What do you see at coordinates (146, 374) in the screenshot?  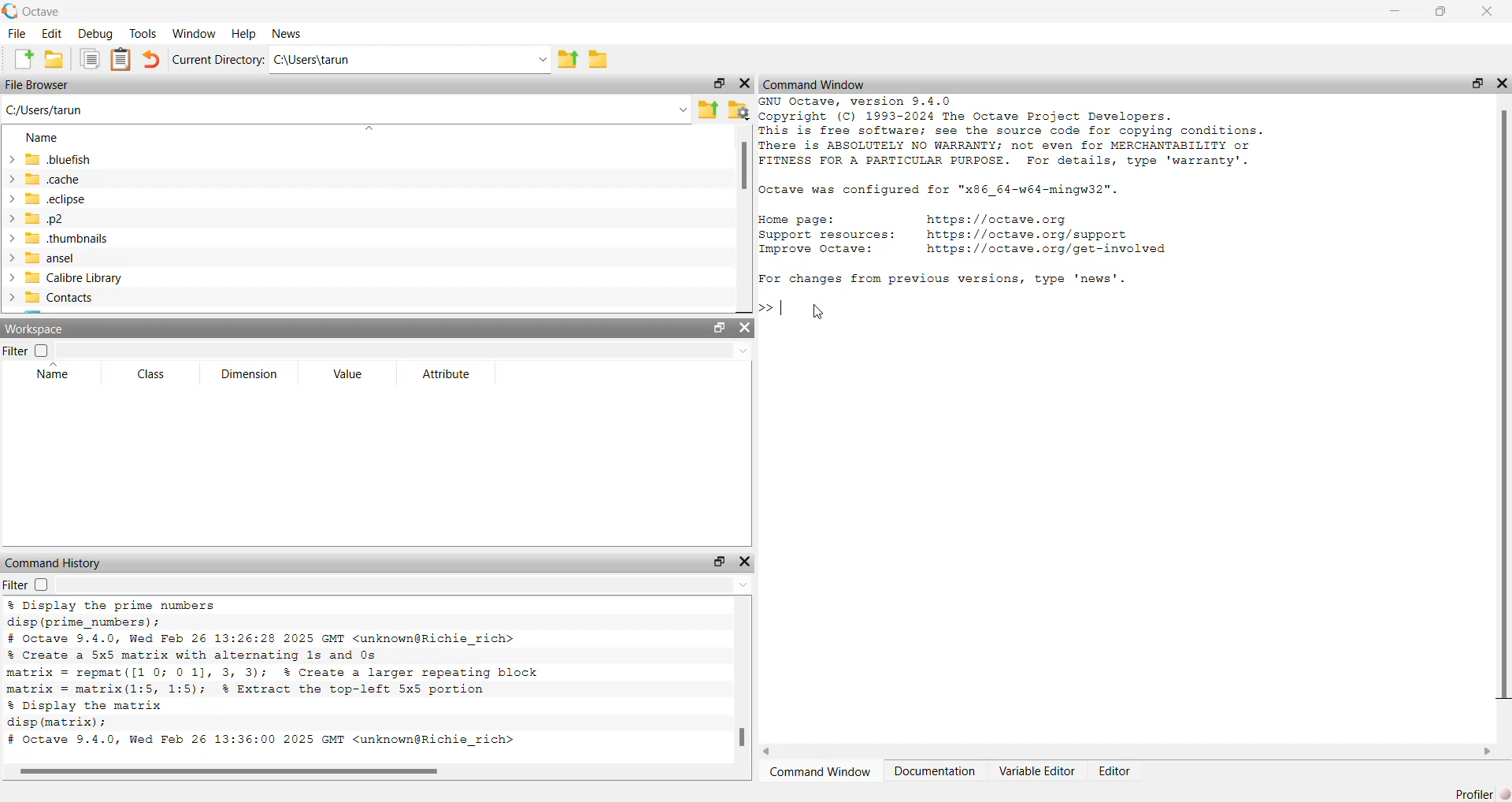 I see `class` at bounding box center [146, 374].